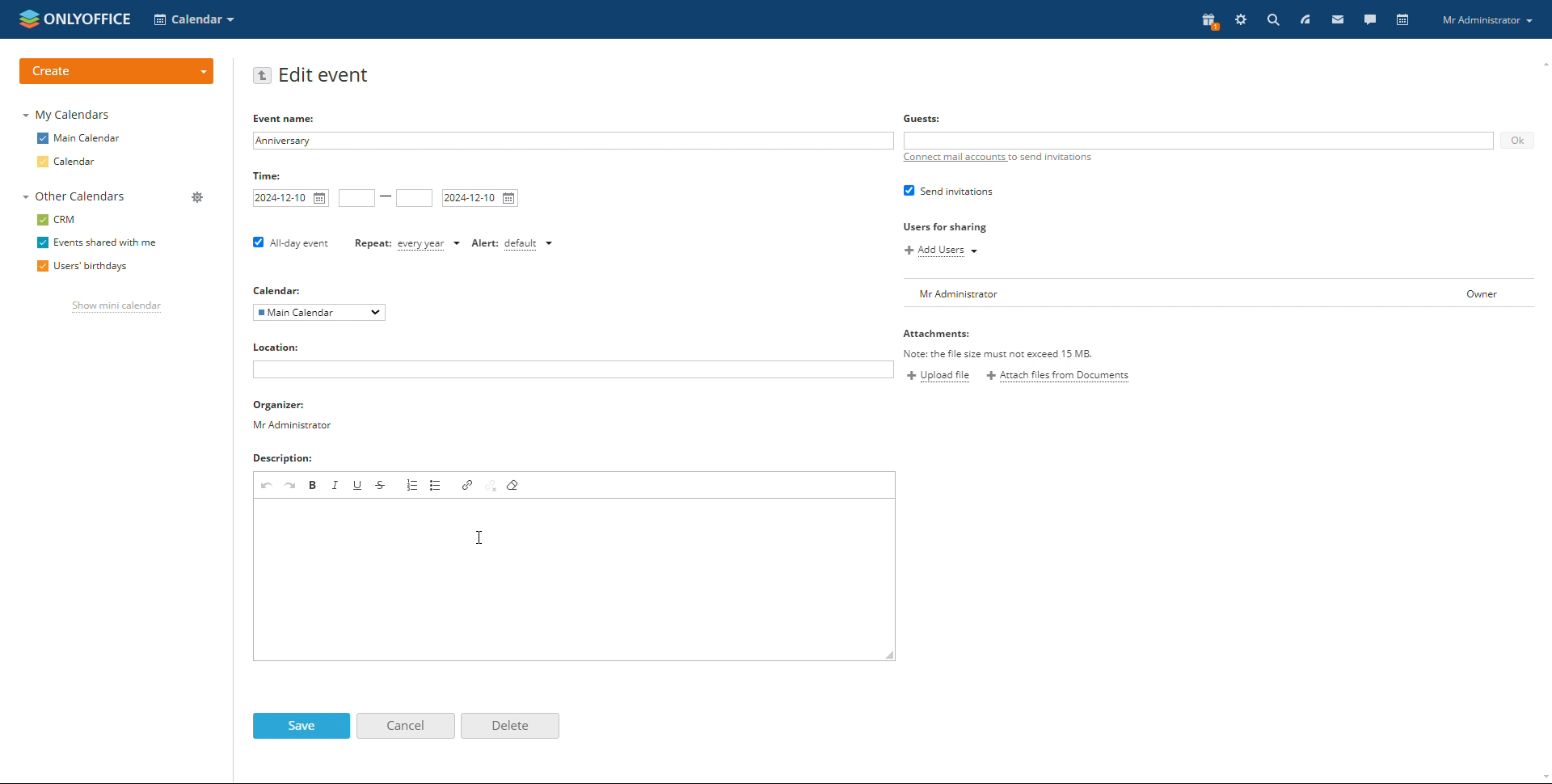 Image resolution: width=1552 pixels, height=784 pixels. Describe the element at coordinates (436, 484) in the screenshot. I see `insert/remove bulleted list` at that location.